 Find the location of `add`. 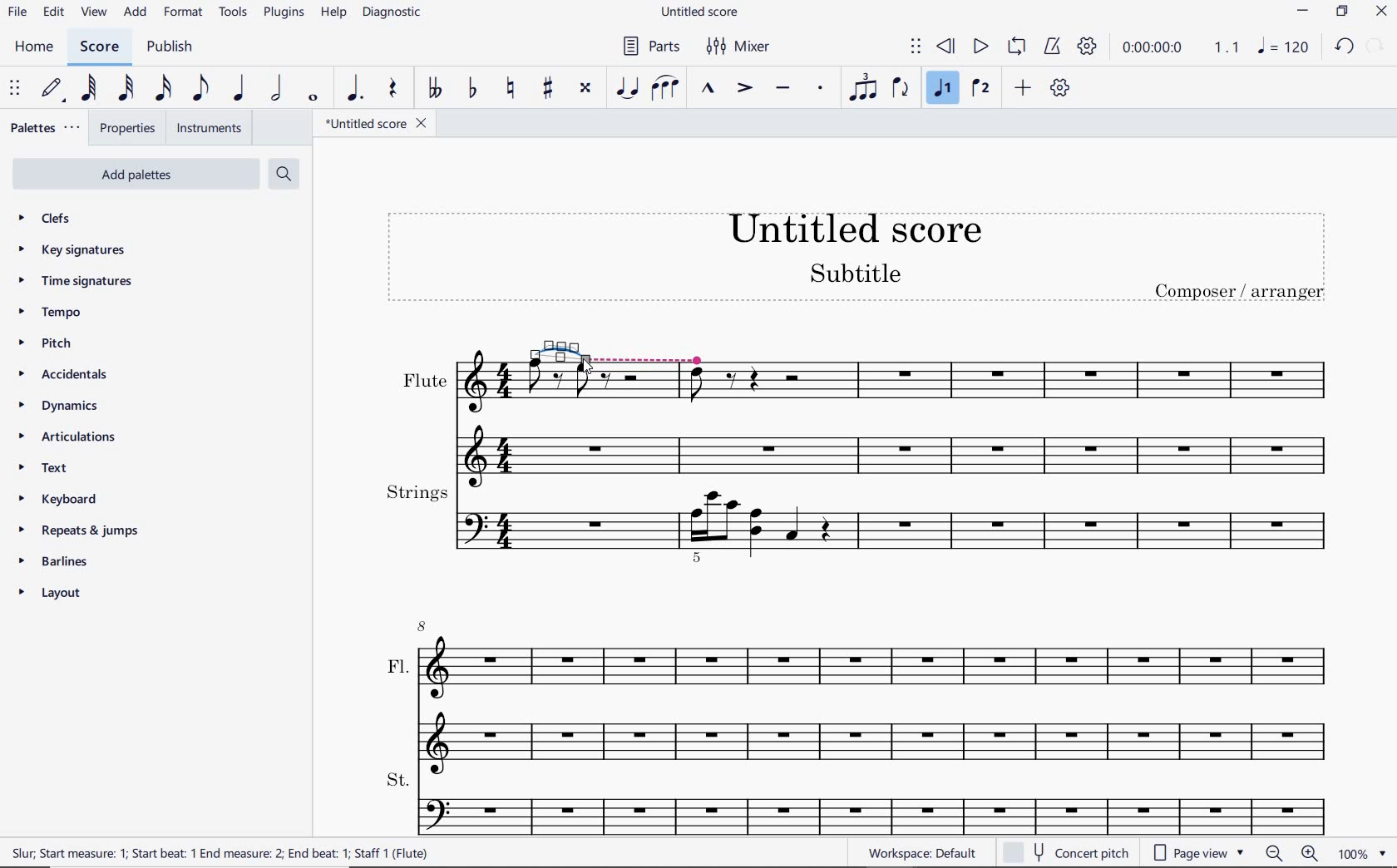

add is located at coordinates (136, 14).